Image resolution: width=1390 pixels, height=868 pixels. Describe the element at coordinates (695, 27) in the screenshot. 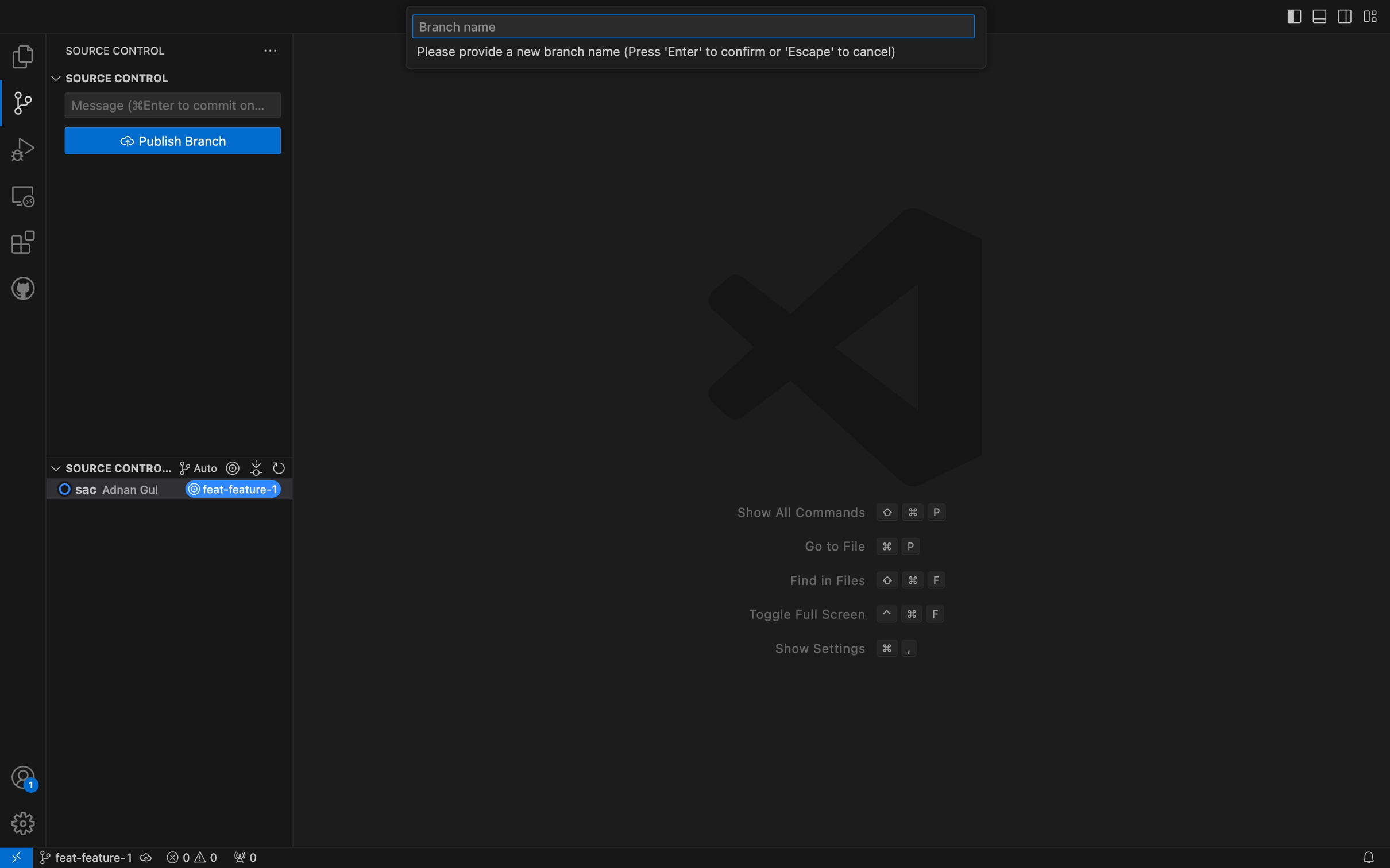

I see `enter branch name box` at that location.